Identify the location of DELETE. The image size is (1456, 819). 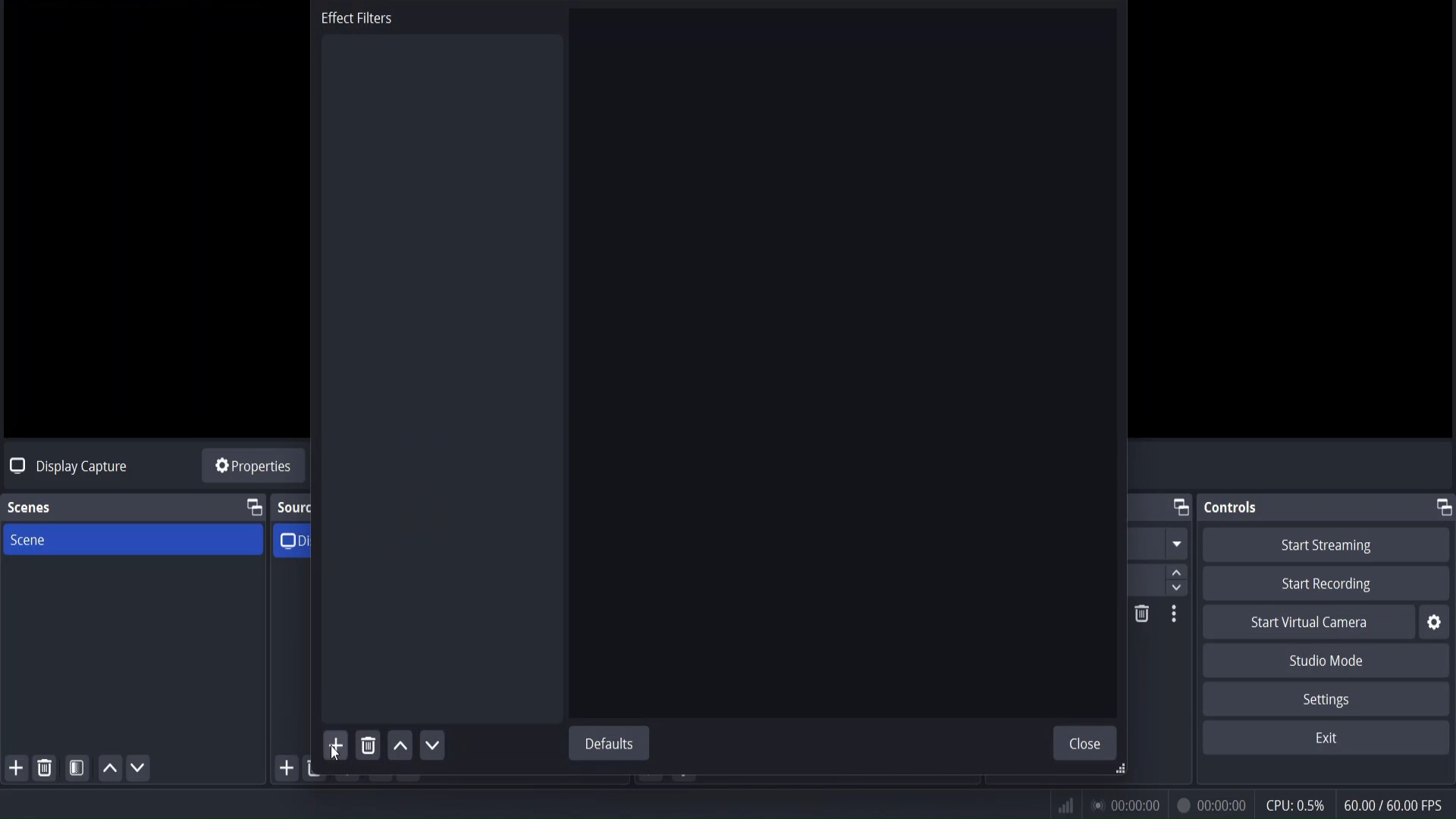
(1139, 616).